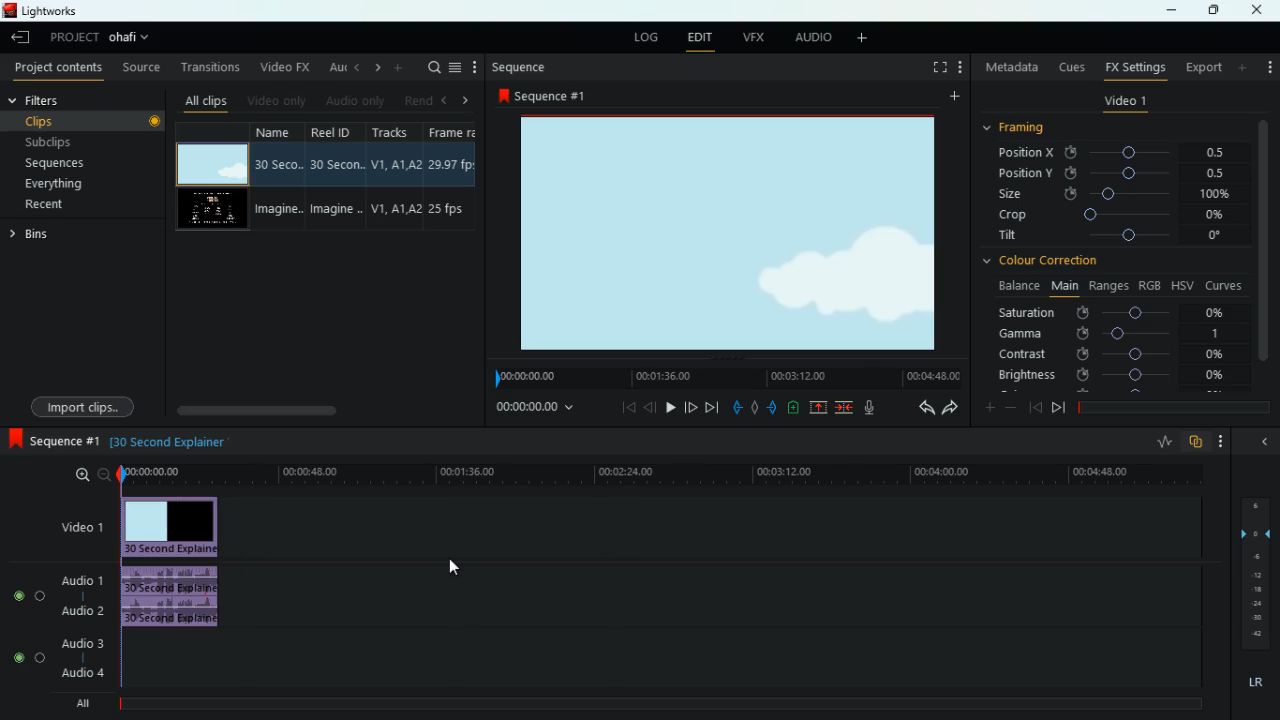  Describe the element at coordinates (24, 658) in the screenshot. I see `Audio` at that location.